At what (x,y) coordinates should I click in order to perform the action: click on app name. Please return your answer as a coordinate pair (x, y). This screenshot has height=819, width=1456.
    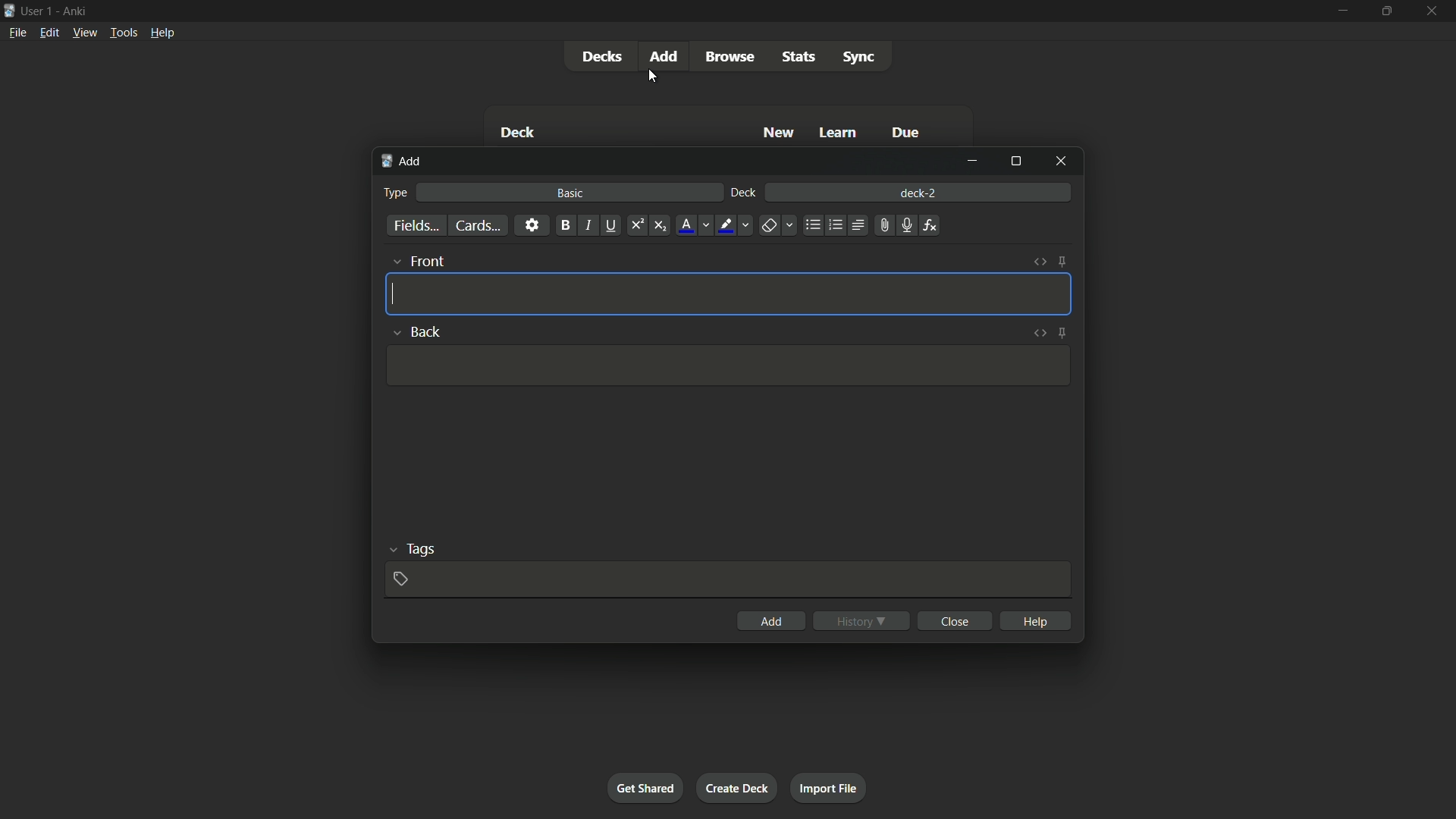
    Looking at the image, I should click on (75, 11).